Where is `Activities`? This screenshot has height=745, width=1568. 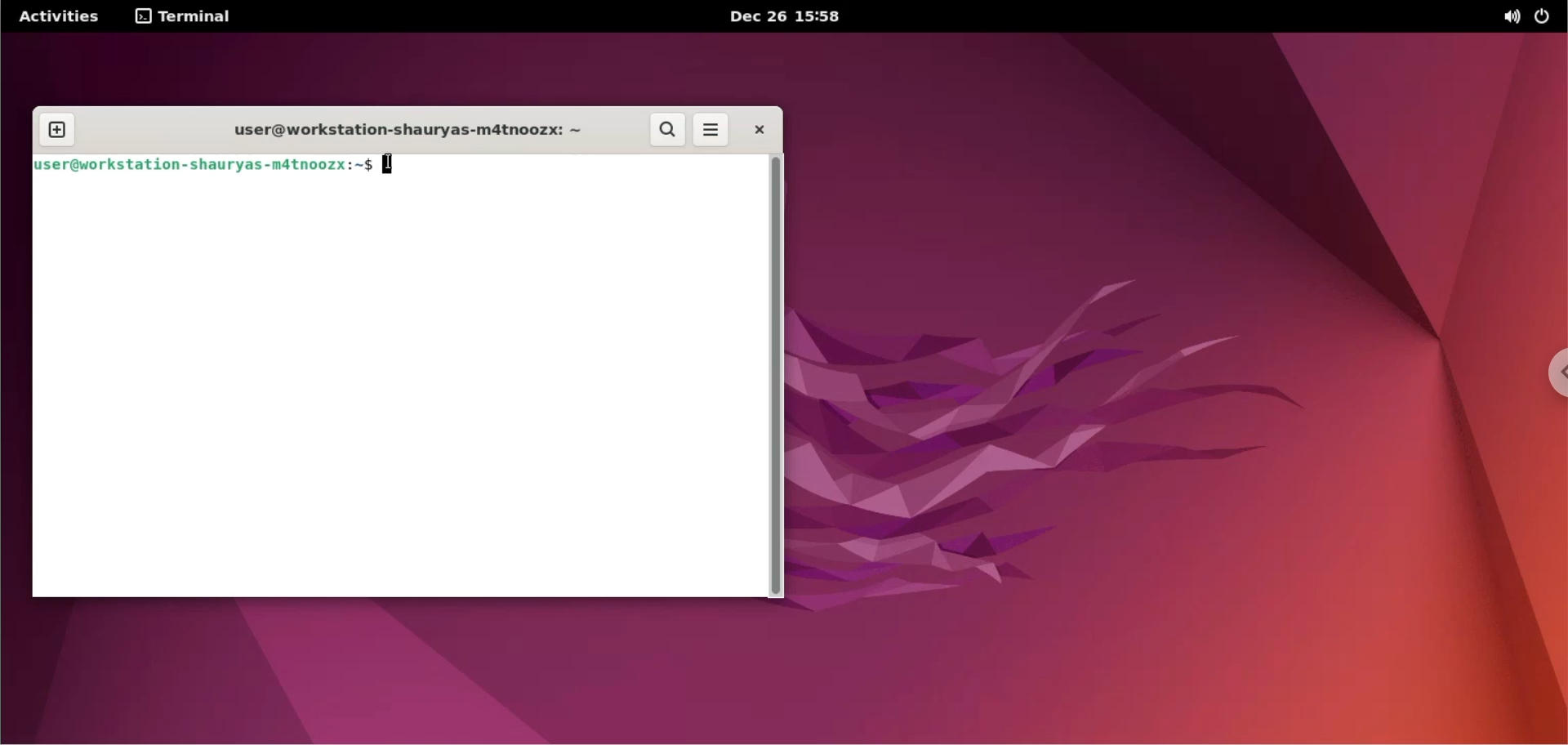 Activities is located at coordinates (57, 17).